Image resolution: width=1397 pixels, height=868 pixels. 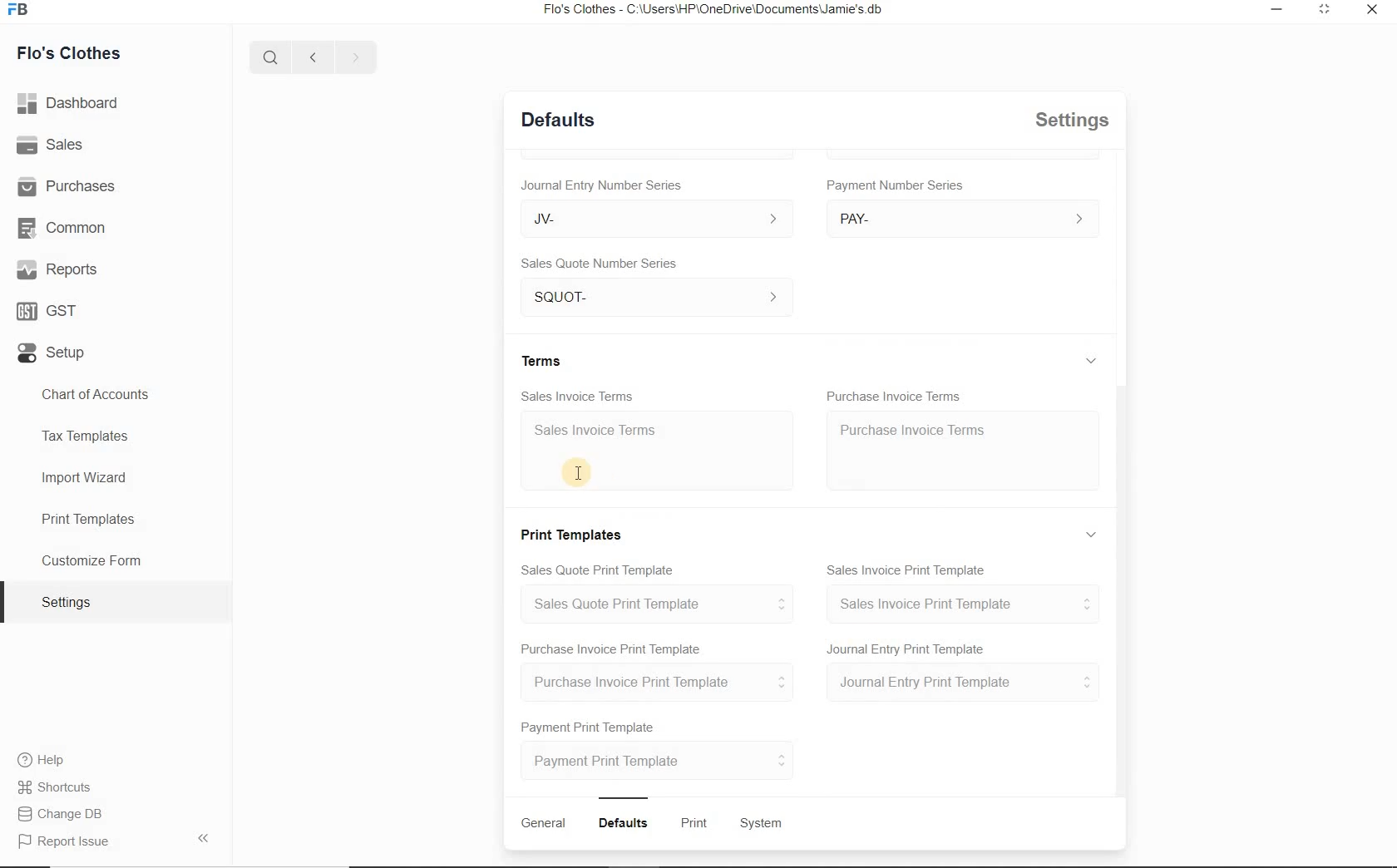 I want to click on Purchase Invoice Terms, so click(x=964, y=450).